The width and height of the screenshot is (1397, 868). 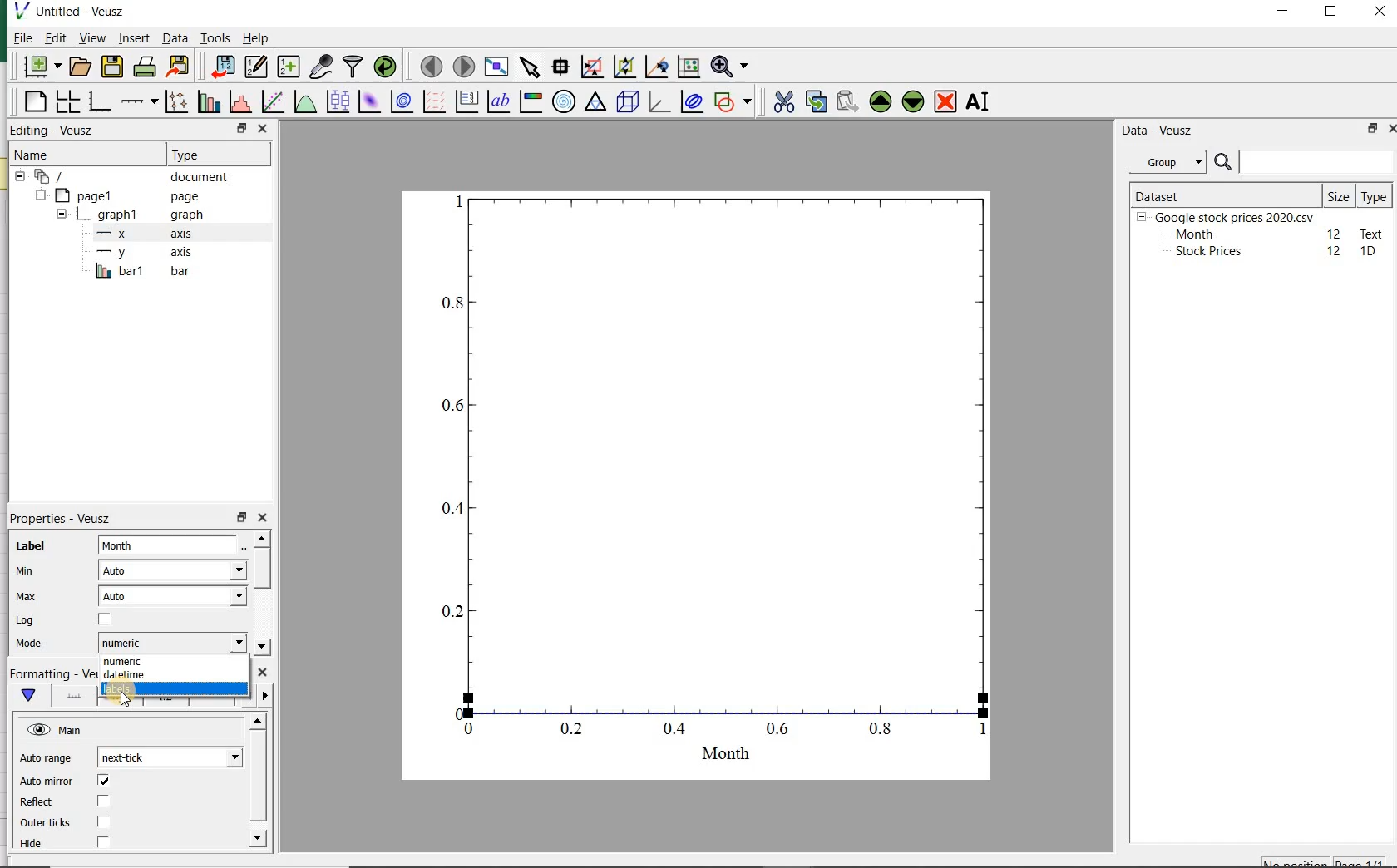 I want to click on numeric, so click(x=170, y=642).